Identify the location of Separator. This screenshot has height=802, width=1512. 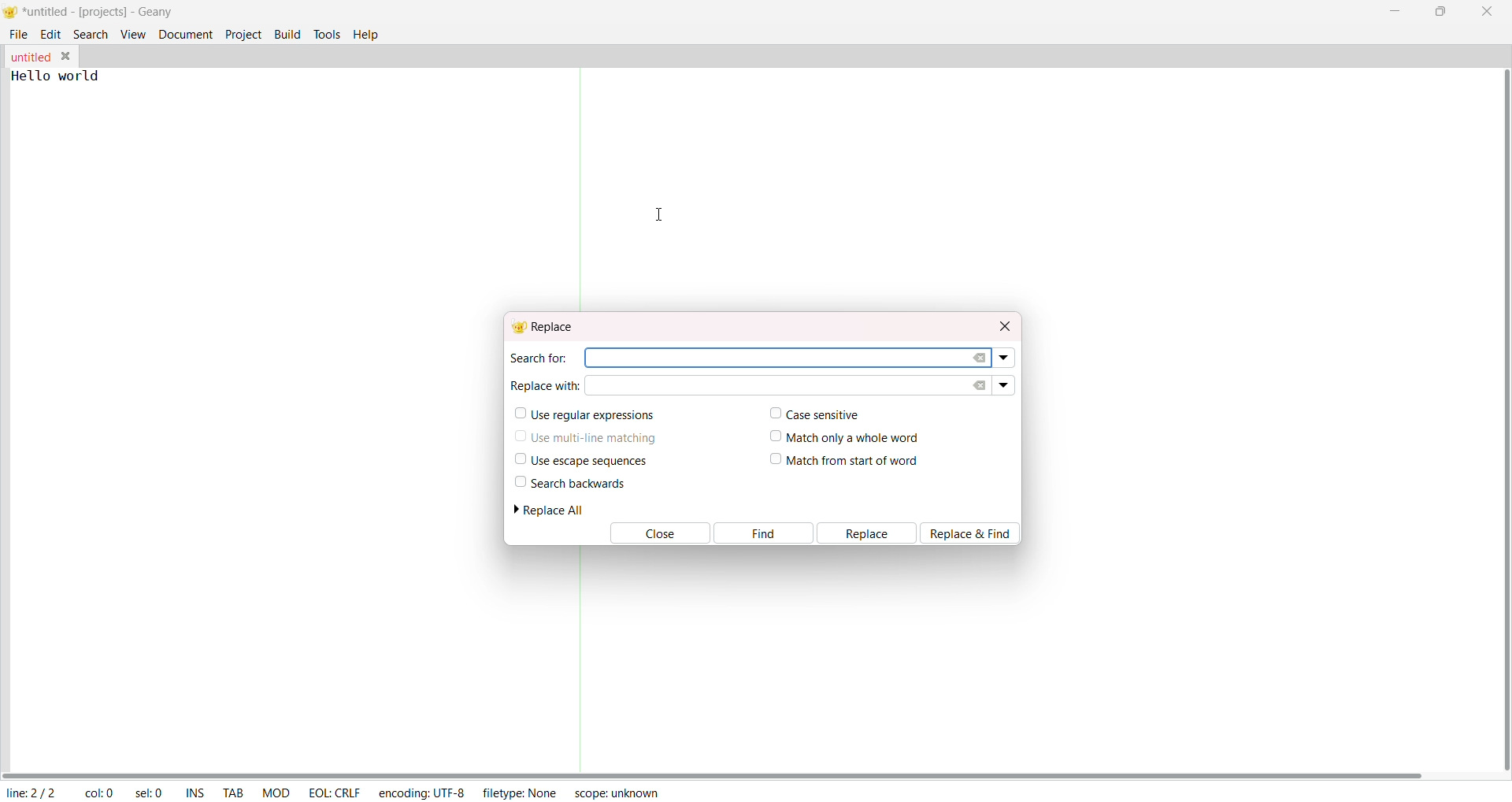
(580, 659).